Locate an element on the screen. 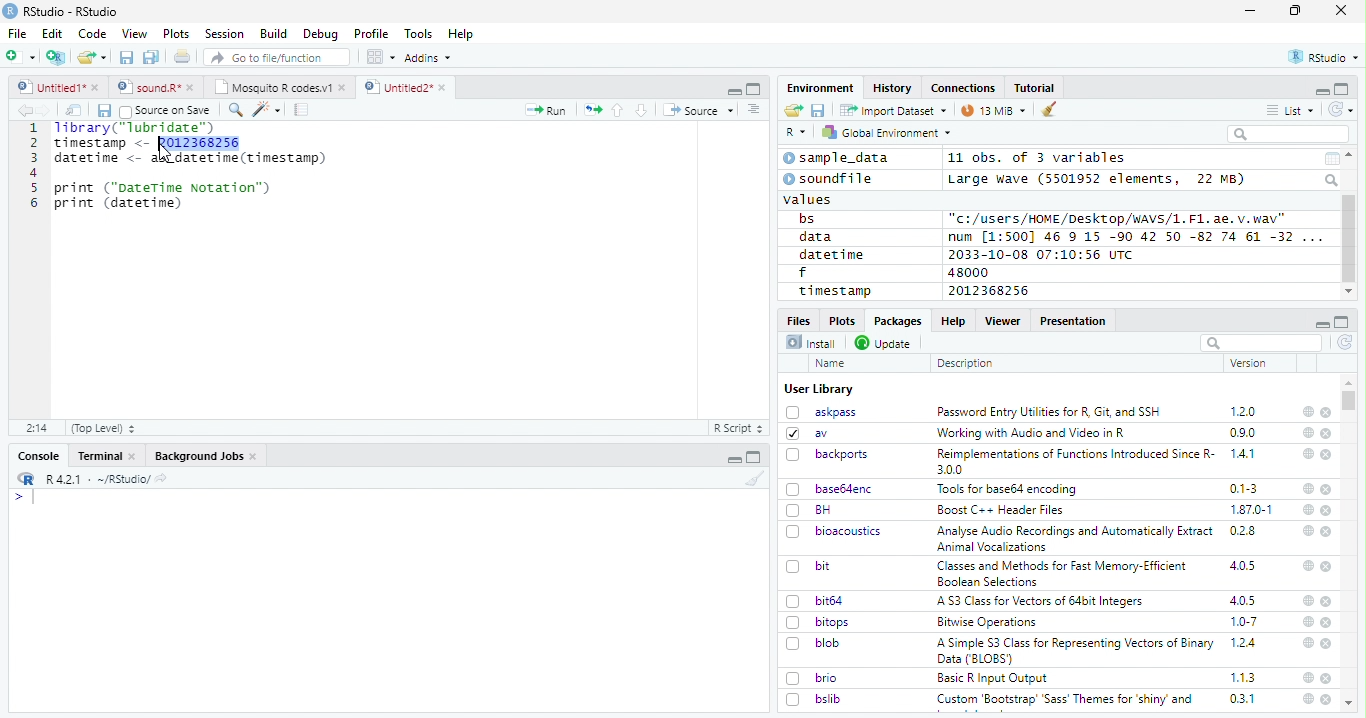 Image resolution: width=1366 pixels, height=718 pixels. find is located at coordinates (233, 108).